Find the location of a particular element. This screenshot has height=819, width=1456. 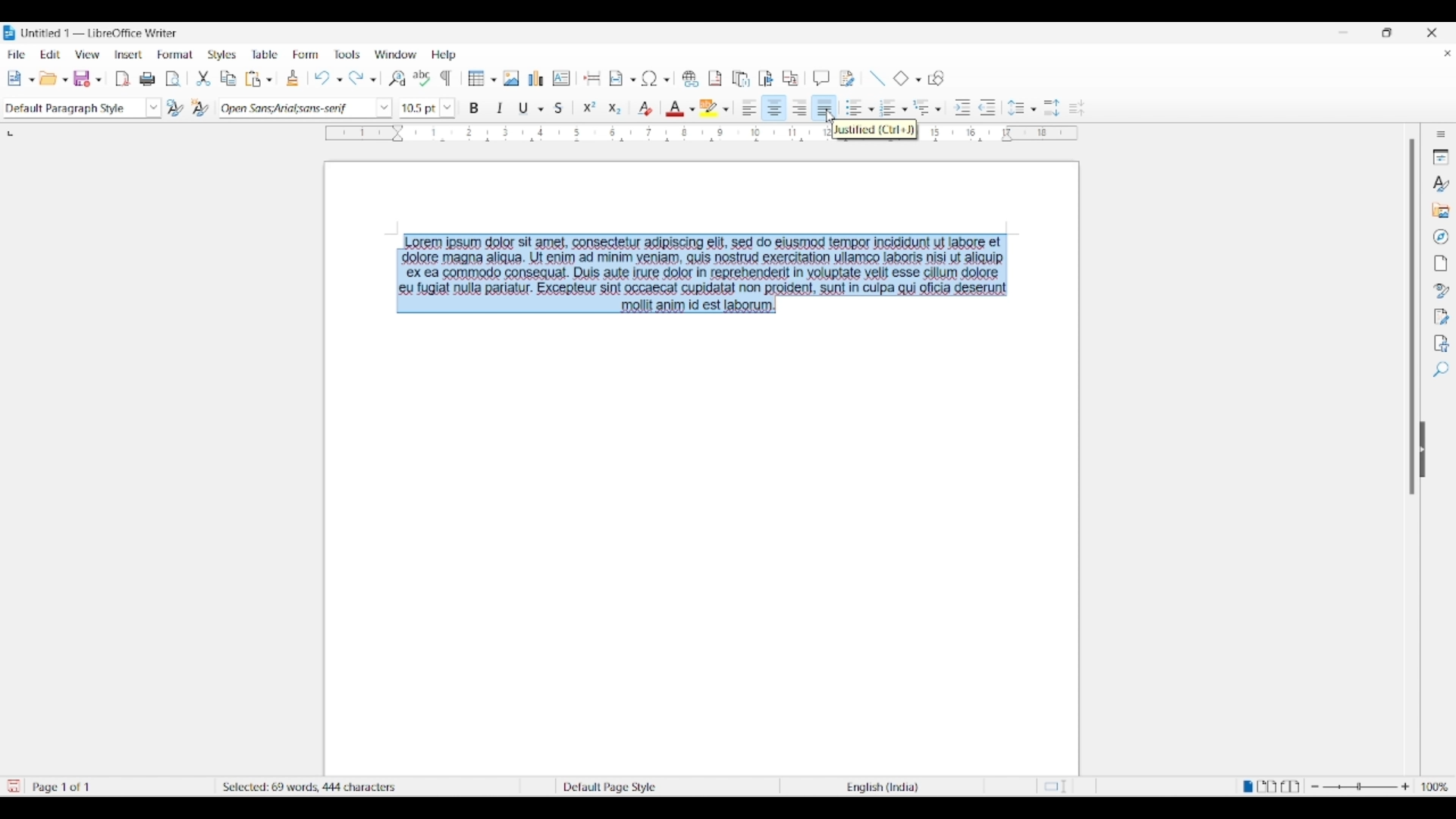

Page 1 of 1 is located at coordinates (64, 787).